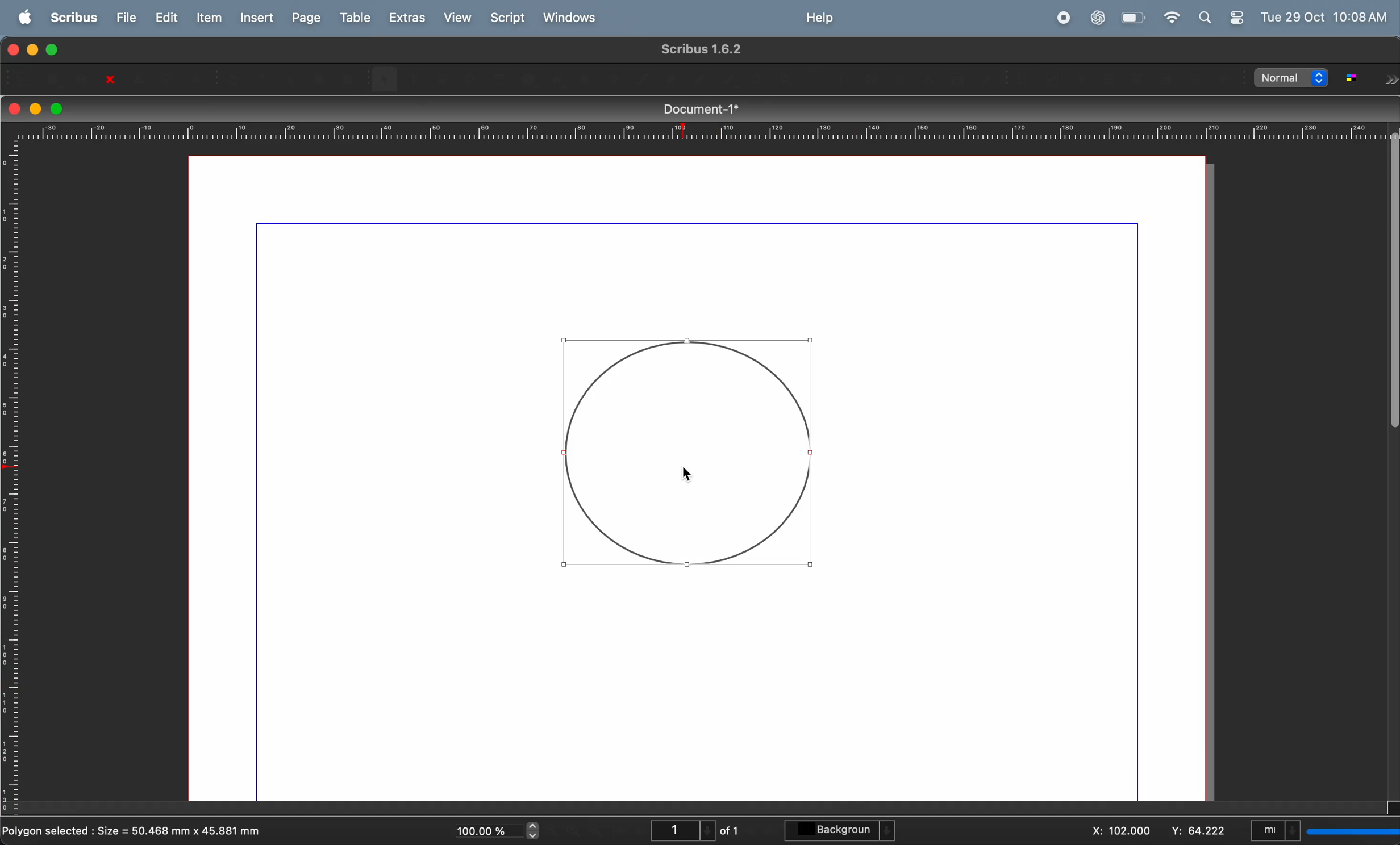  Describe the element at coordinates (1357, 78) in the screenshot. I see `toggle color management` at that location.